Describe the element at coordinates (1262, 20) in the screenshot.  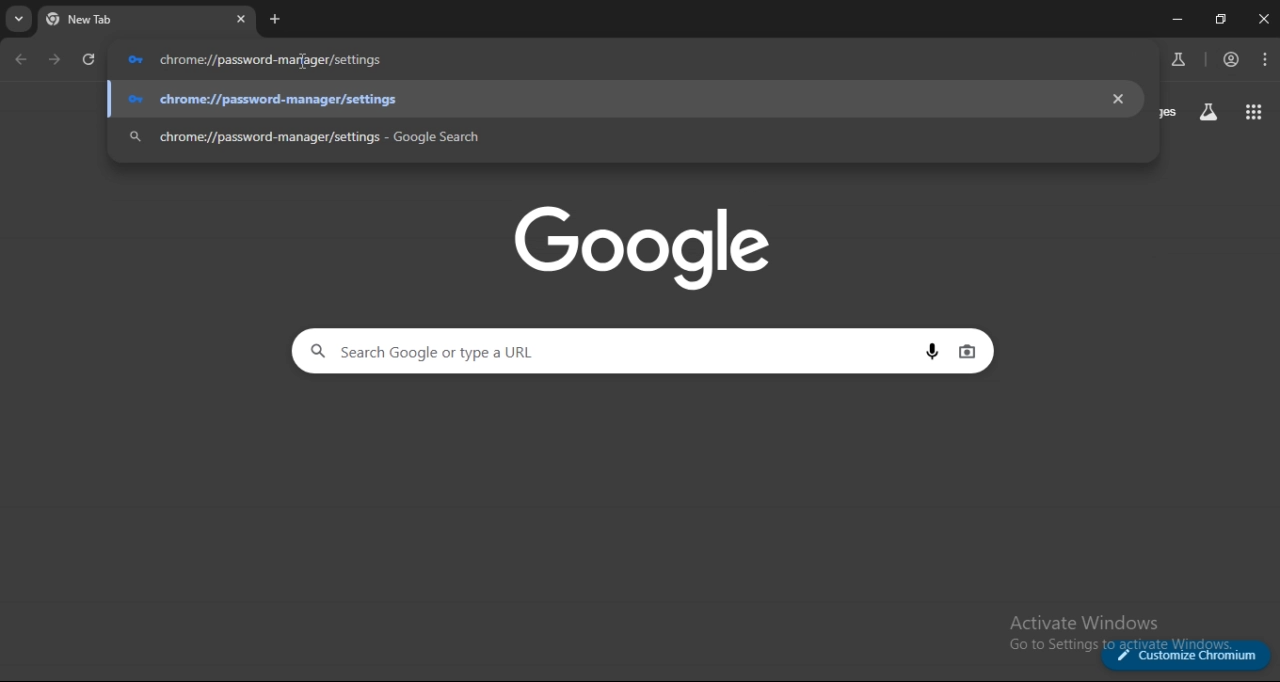
I see `close` at that location.